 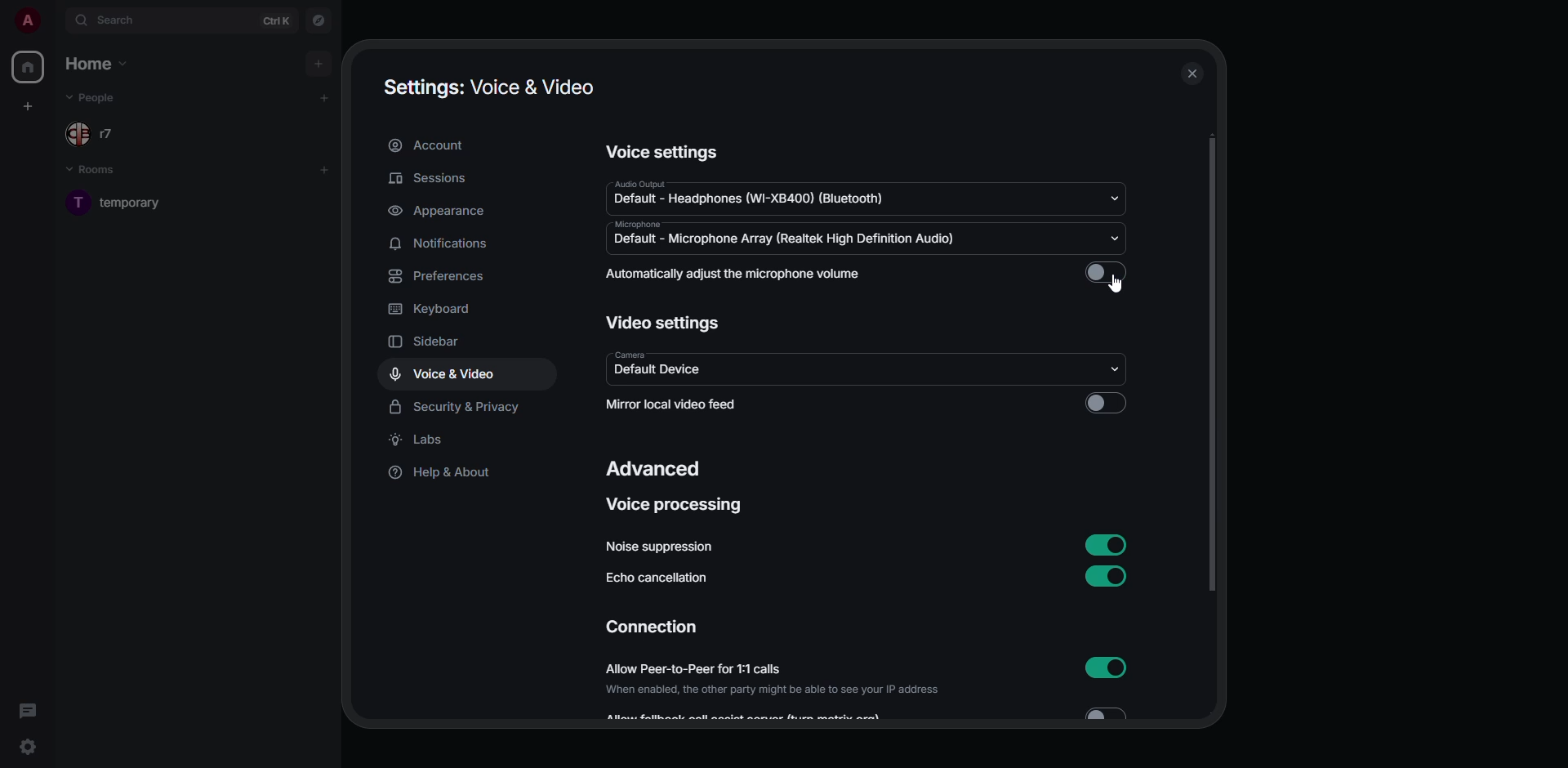 I want to click on r7, so click(x=101, y=136).